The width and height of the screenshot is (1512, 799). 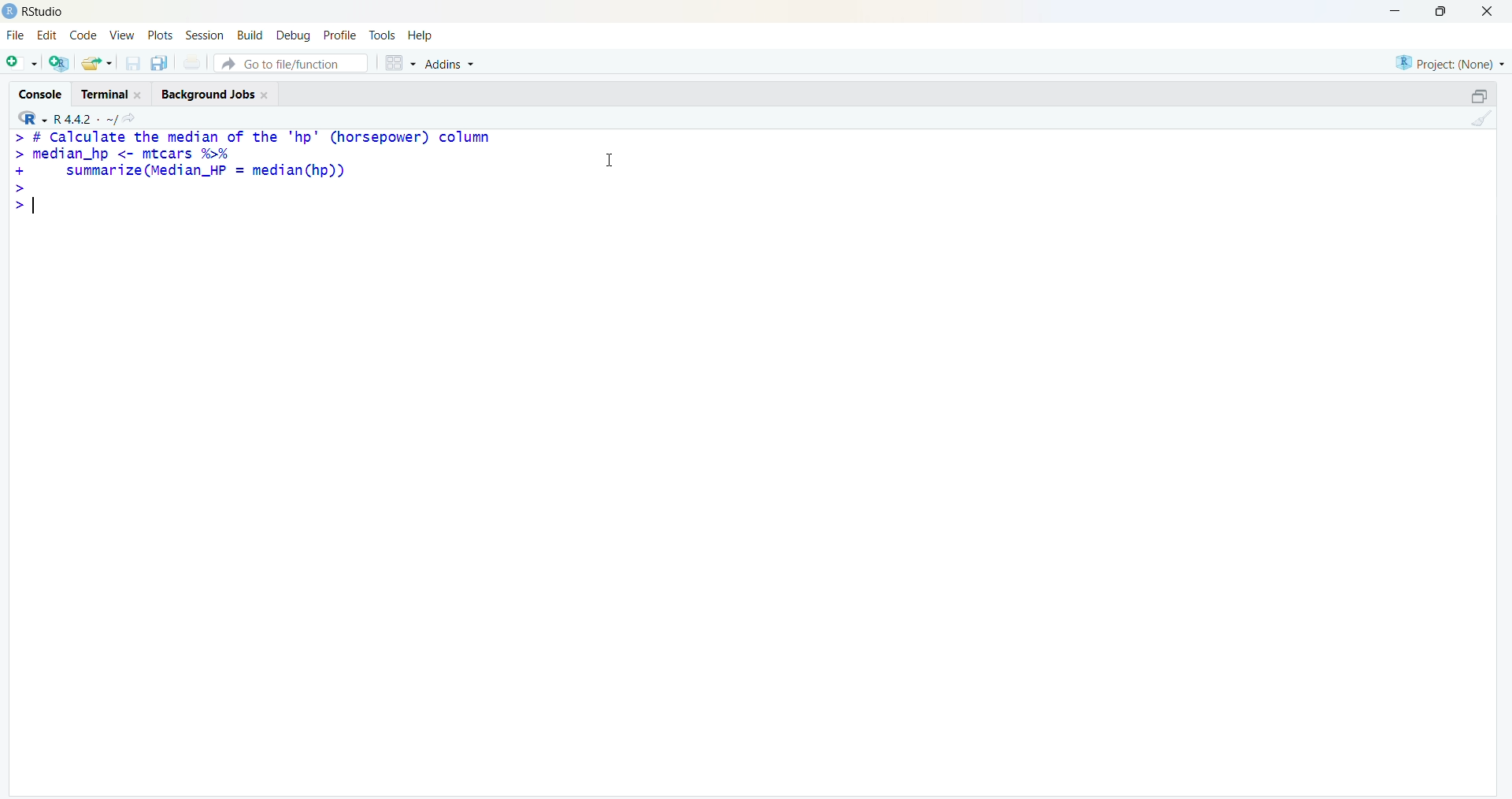 I want to click on Background jobs, so click(x=206, y=95).